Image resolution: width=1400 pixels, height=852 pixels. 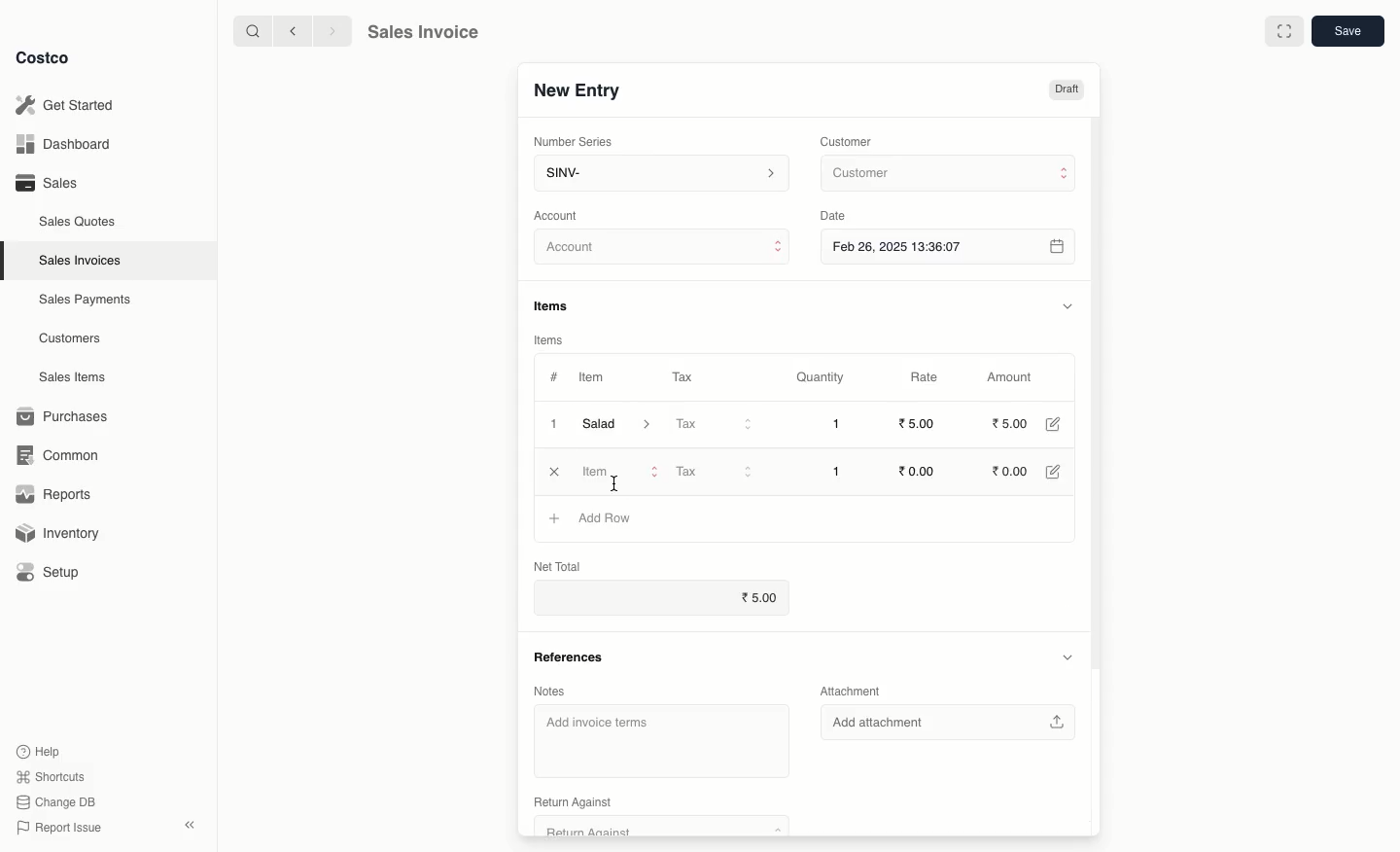 What do you see at coordinates (920, 423) in the screenshot?
I see `5.00` at bounding box center [920, 423].